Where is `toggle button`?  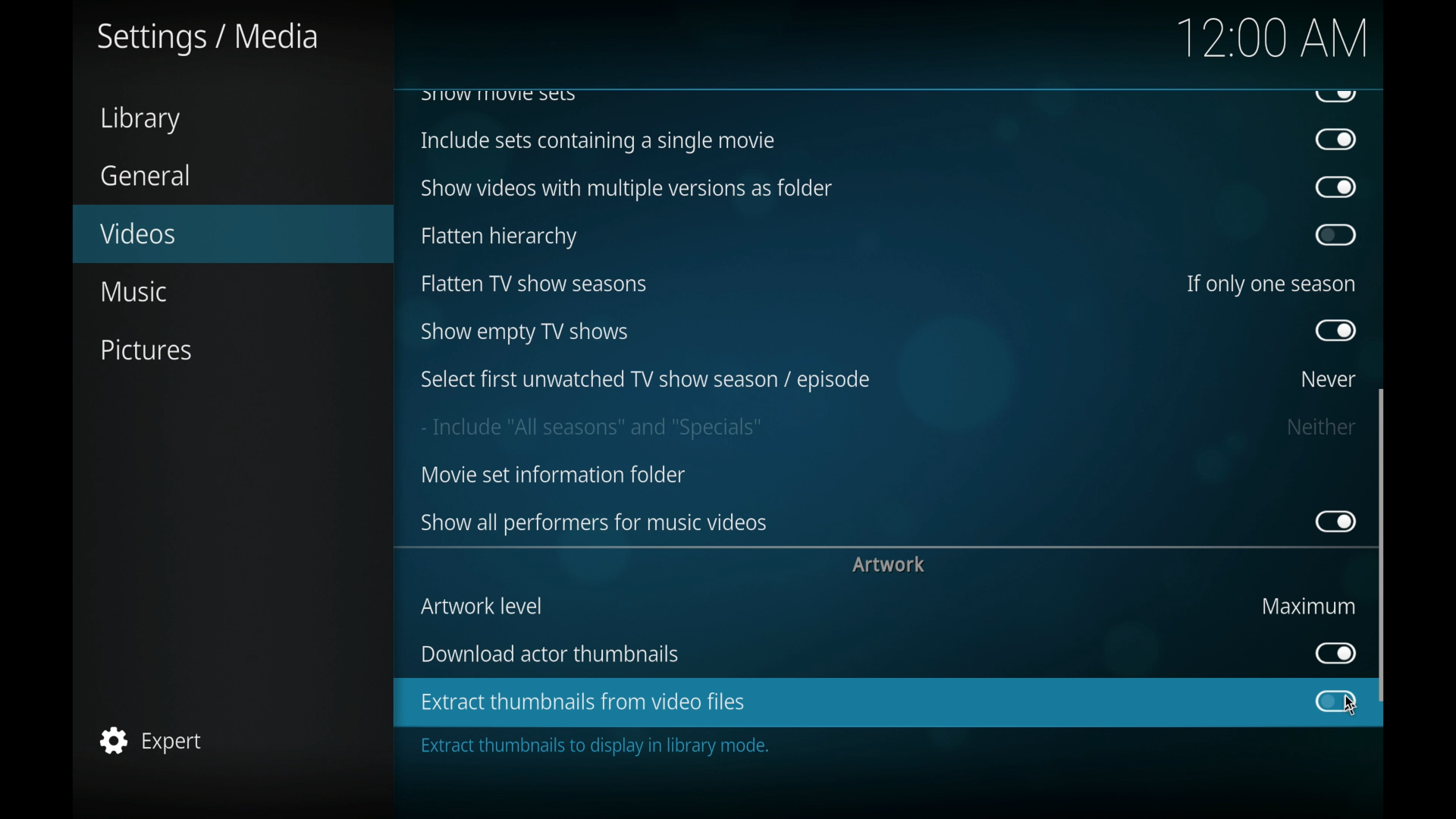
toggle button is located at coordinates (1335, 654).